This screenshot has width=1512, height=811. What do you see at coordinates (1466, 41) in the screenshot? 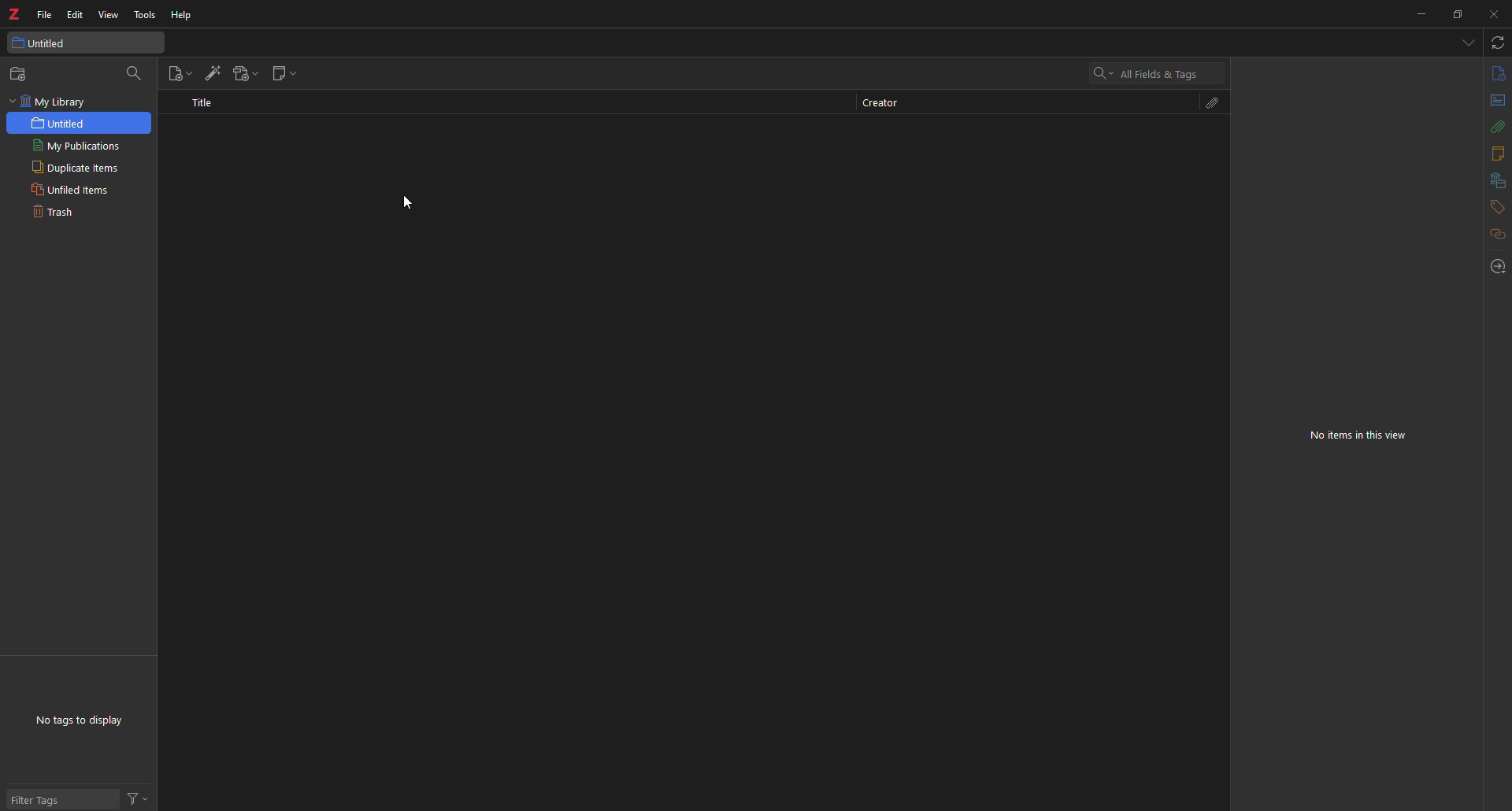
I see `tabs` at bounding box center [1466, 41].